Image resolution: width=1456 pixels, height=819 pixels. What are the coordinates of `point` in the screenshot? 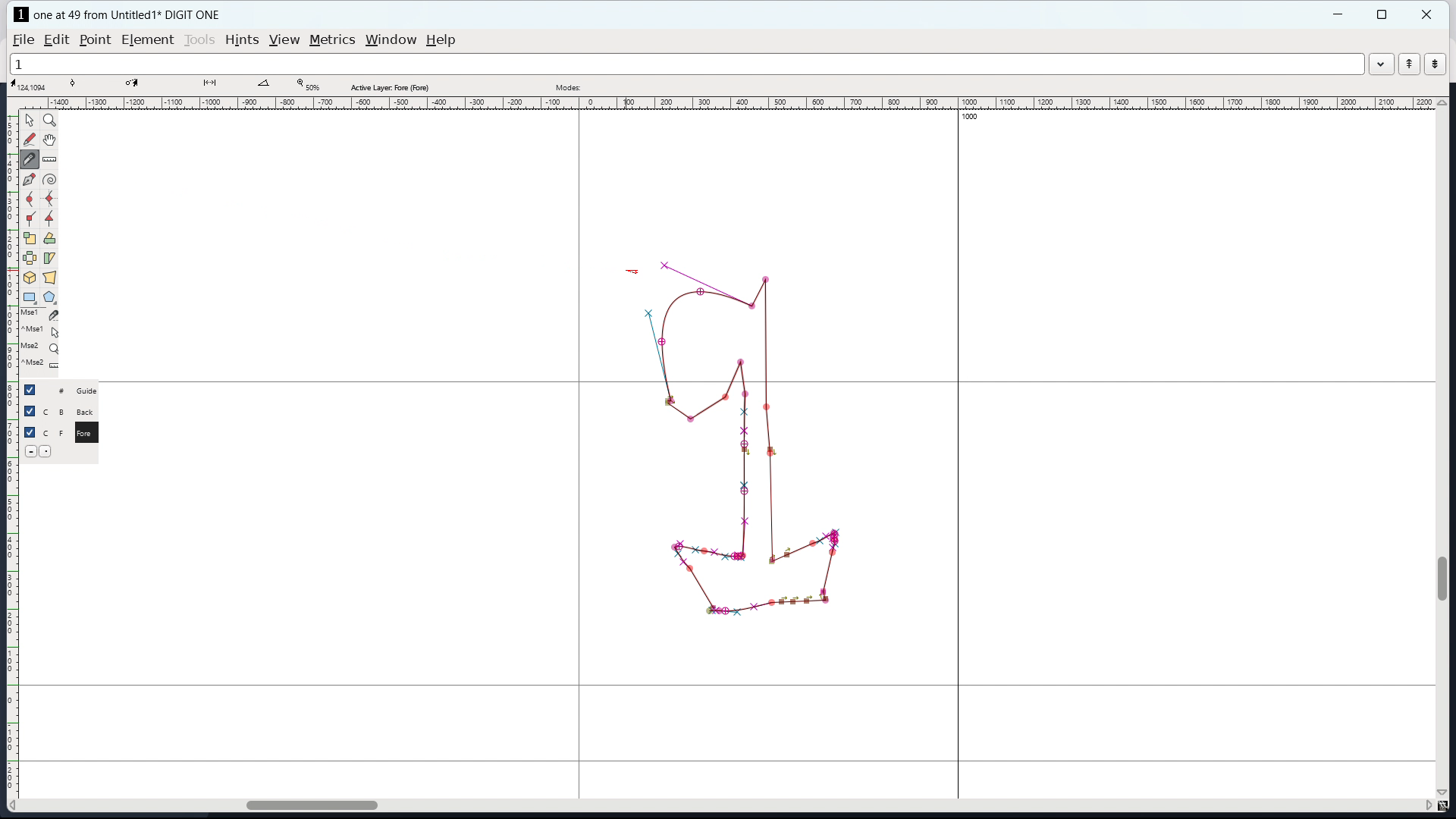 It's located at (96, 40).